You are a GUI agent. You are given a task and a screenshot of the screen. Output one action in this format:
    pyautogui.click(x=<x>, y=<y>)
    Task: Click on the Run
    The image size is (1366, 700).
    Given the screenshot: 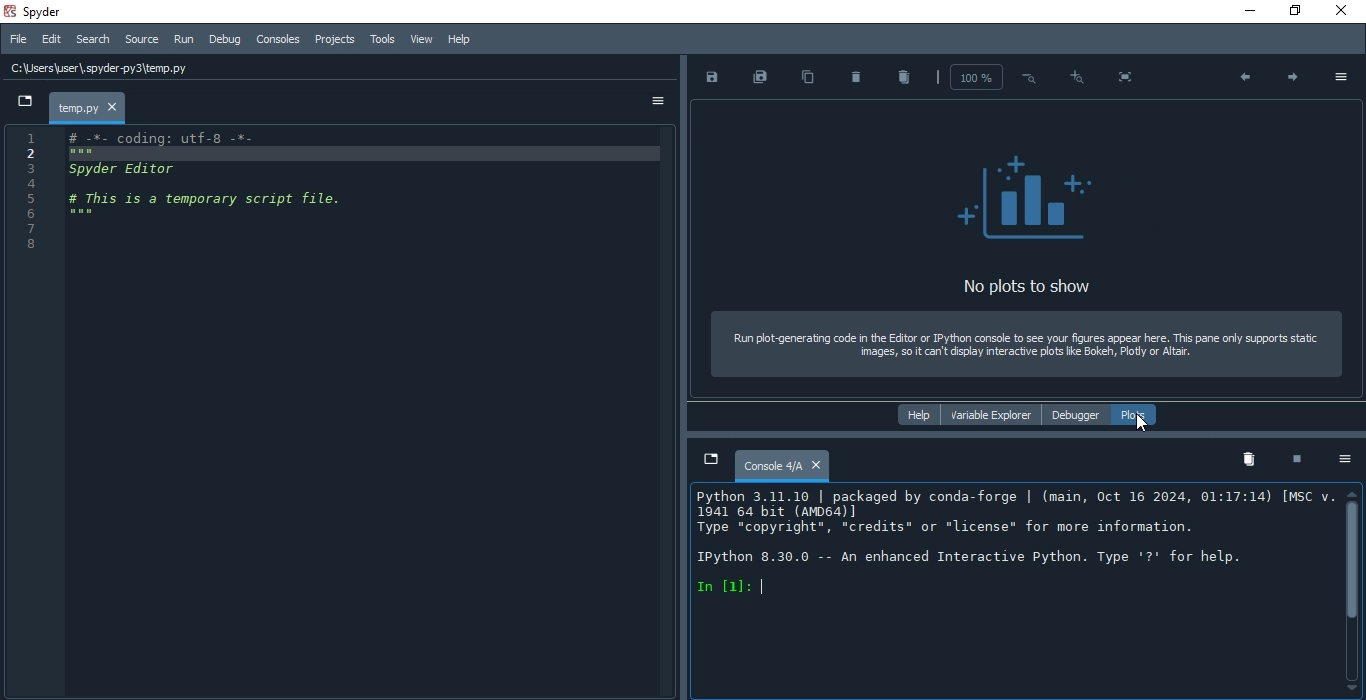 What is the action you would take?
    pyautogui.click(x=180, y=39)
    